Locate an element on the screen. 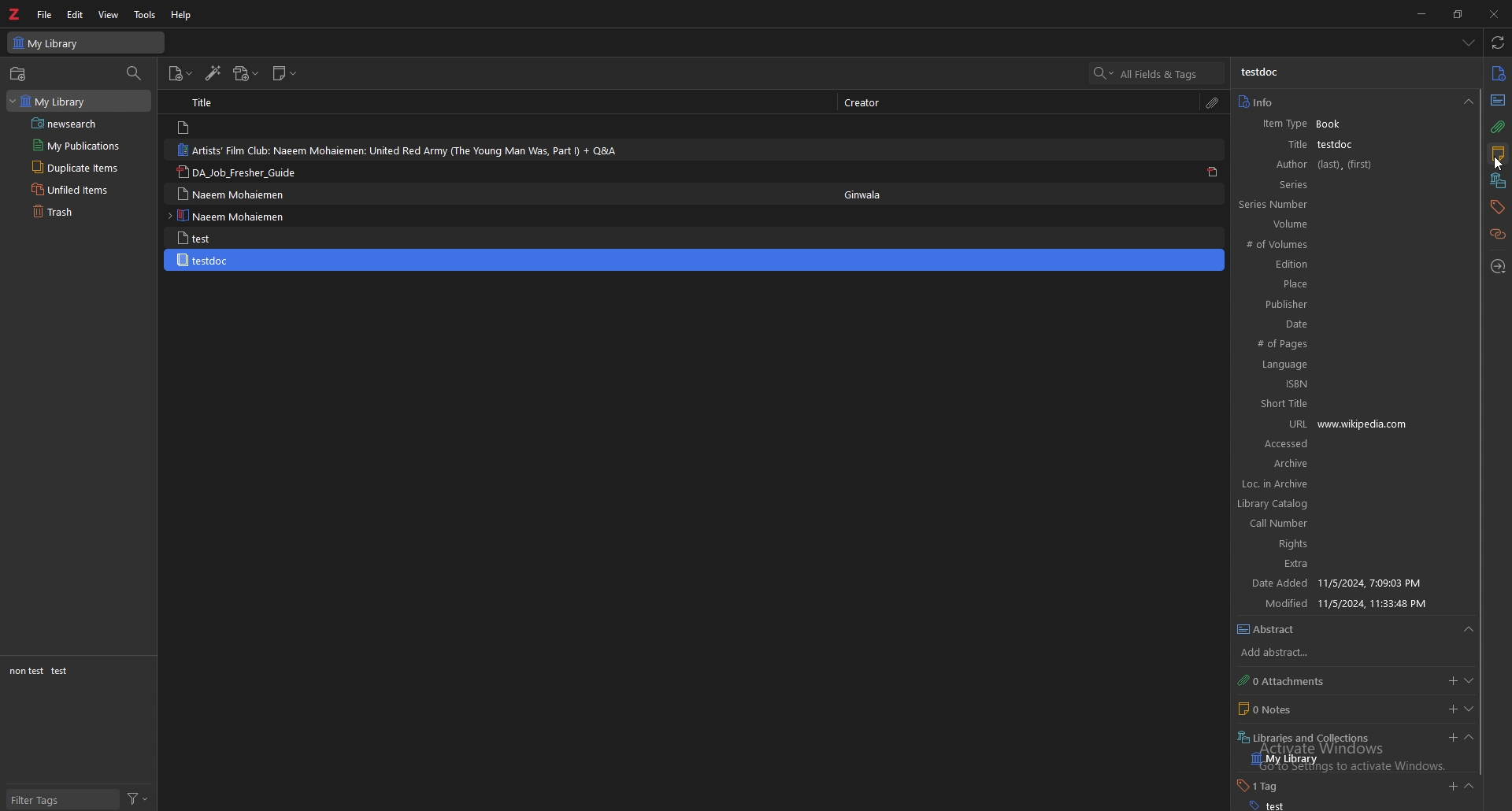 Image resolution: width=1512 pixels, height=811 pixels. add libraries or collections is located at coordinates (1451, 737).